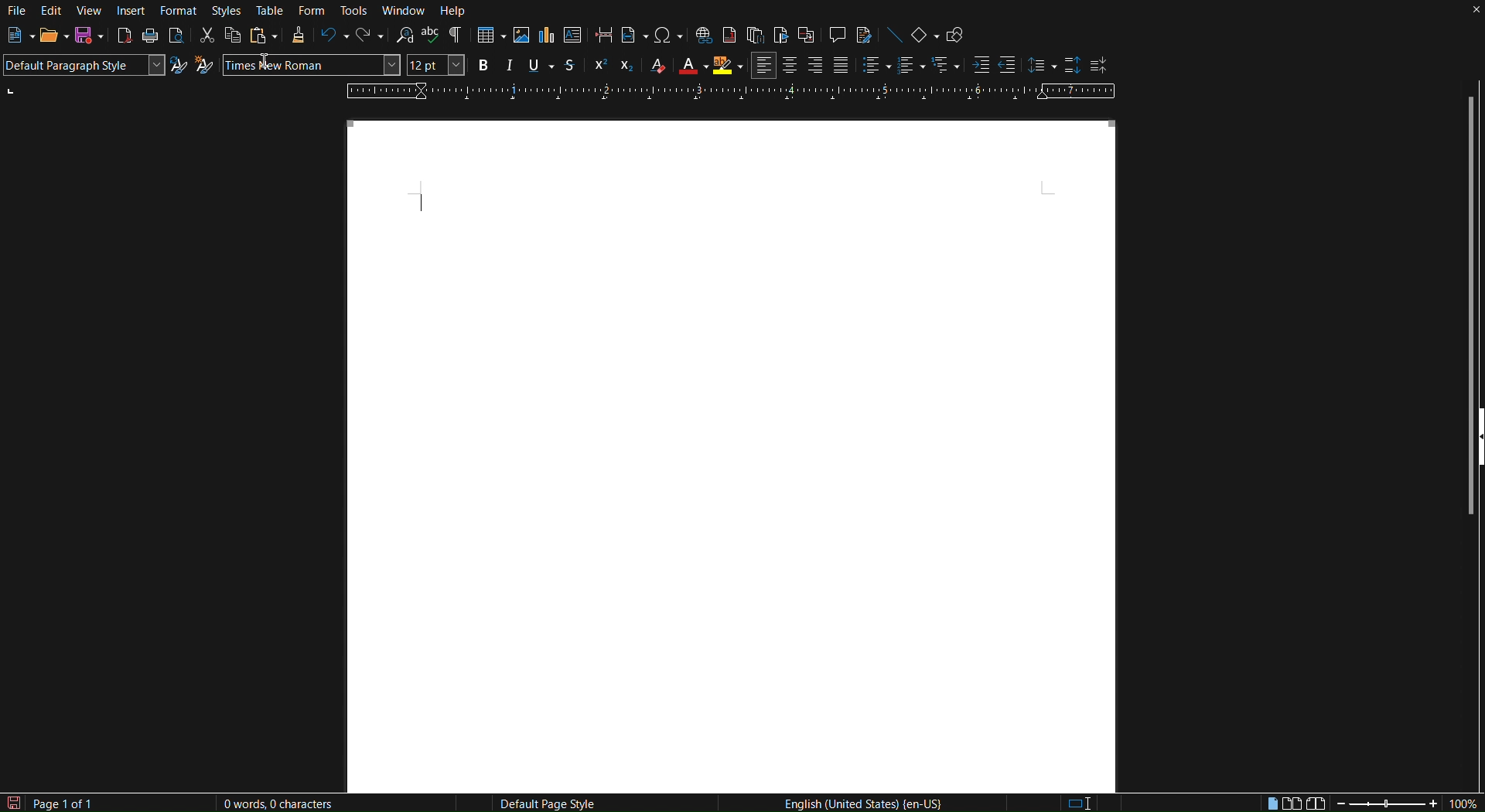 Image resolution: width=1485 pixels, height=812 pixels. Describe the element at coordinates (355, 11) in the screenshot. I see `Tools` at that location.